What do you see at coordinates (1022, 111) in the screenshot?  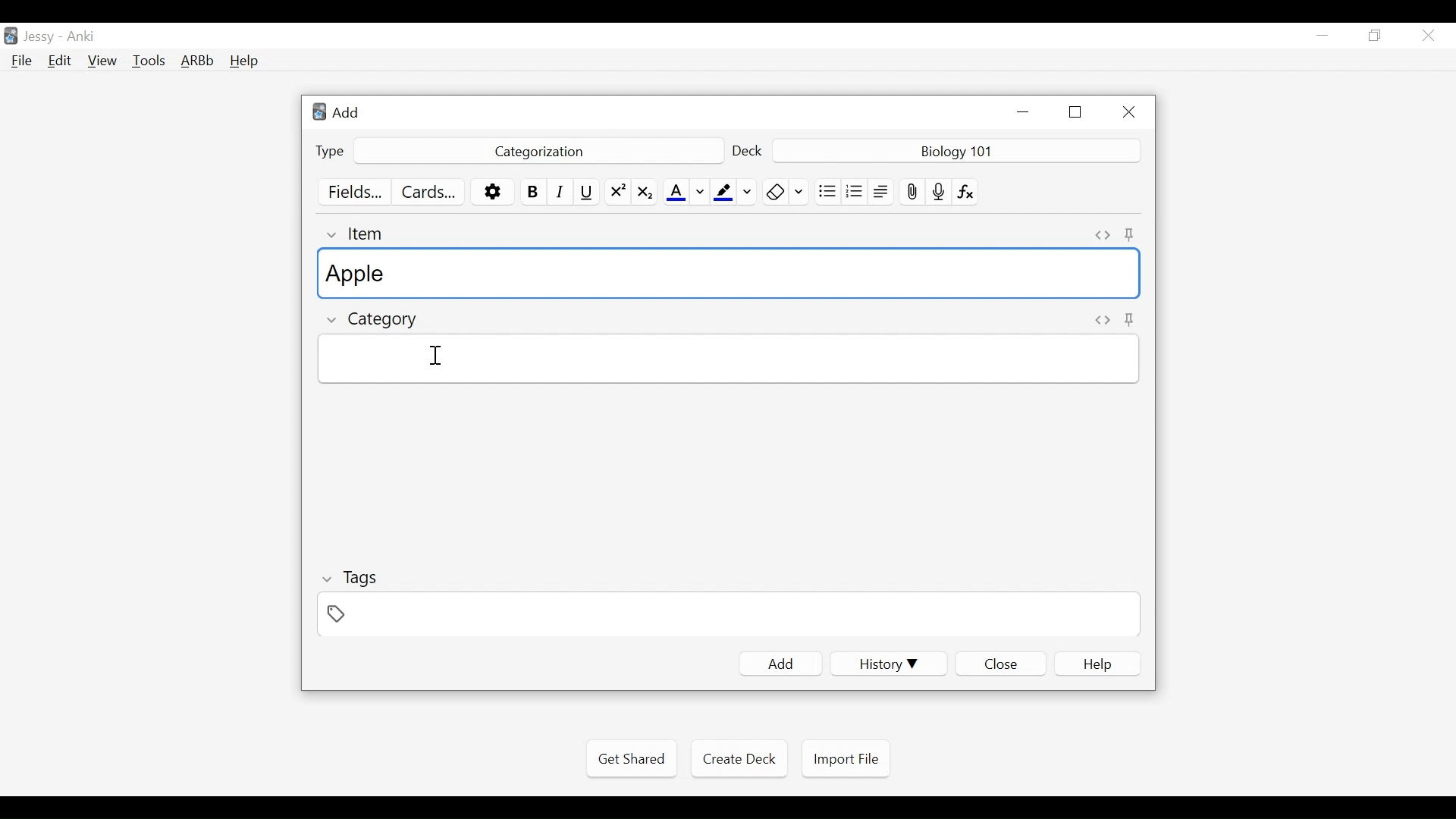 I see `minimize` at bounding box center [1022, 111].